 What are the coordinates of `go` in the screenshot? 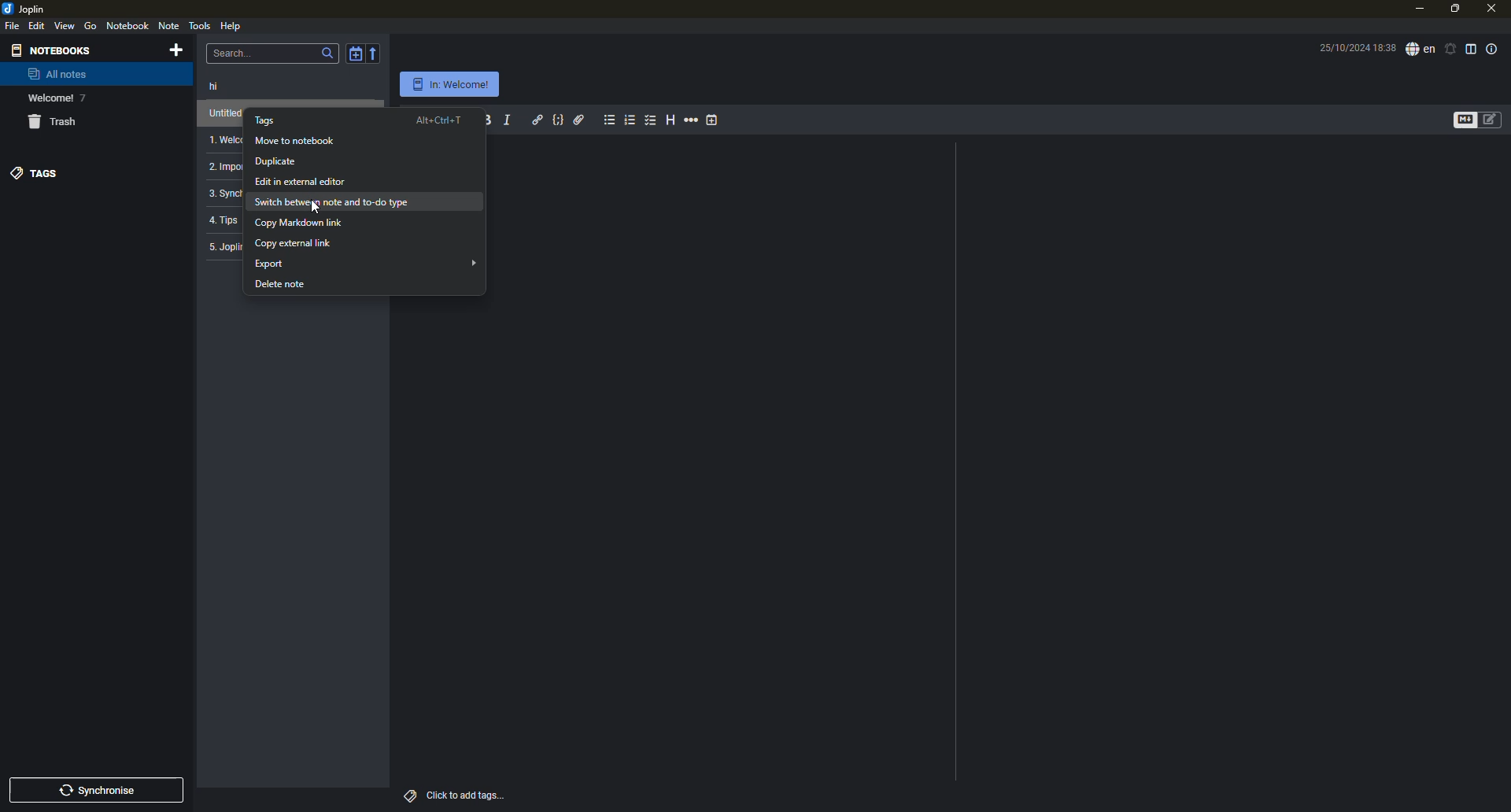 It's located at (91, 26).